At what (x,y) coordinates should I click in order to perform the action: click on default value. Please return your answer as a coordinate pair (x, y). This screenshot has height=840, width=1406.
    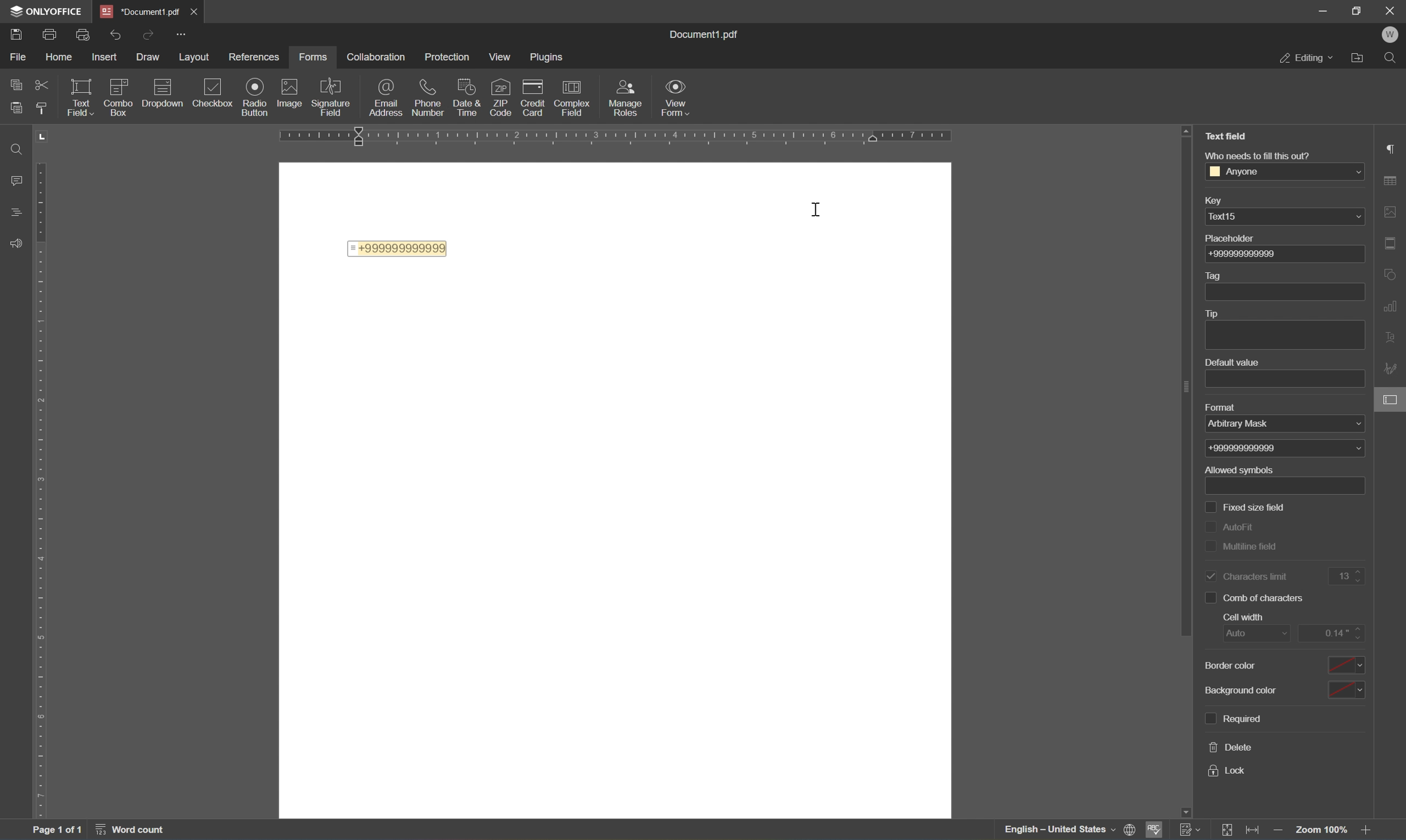
    Looking at the image, I should click on (1235, 362).